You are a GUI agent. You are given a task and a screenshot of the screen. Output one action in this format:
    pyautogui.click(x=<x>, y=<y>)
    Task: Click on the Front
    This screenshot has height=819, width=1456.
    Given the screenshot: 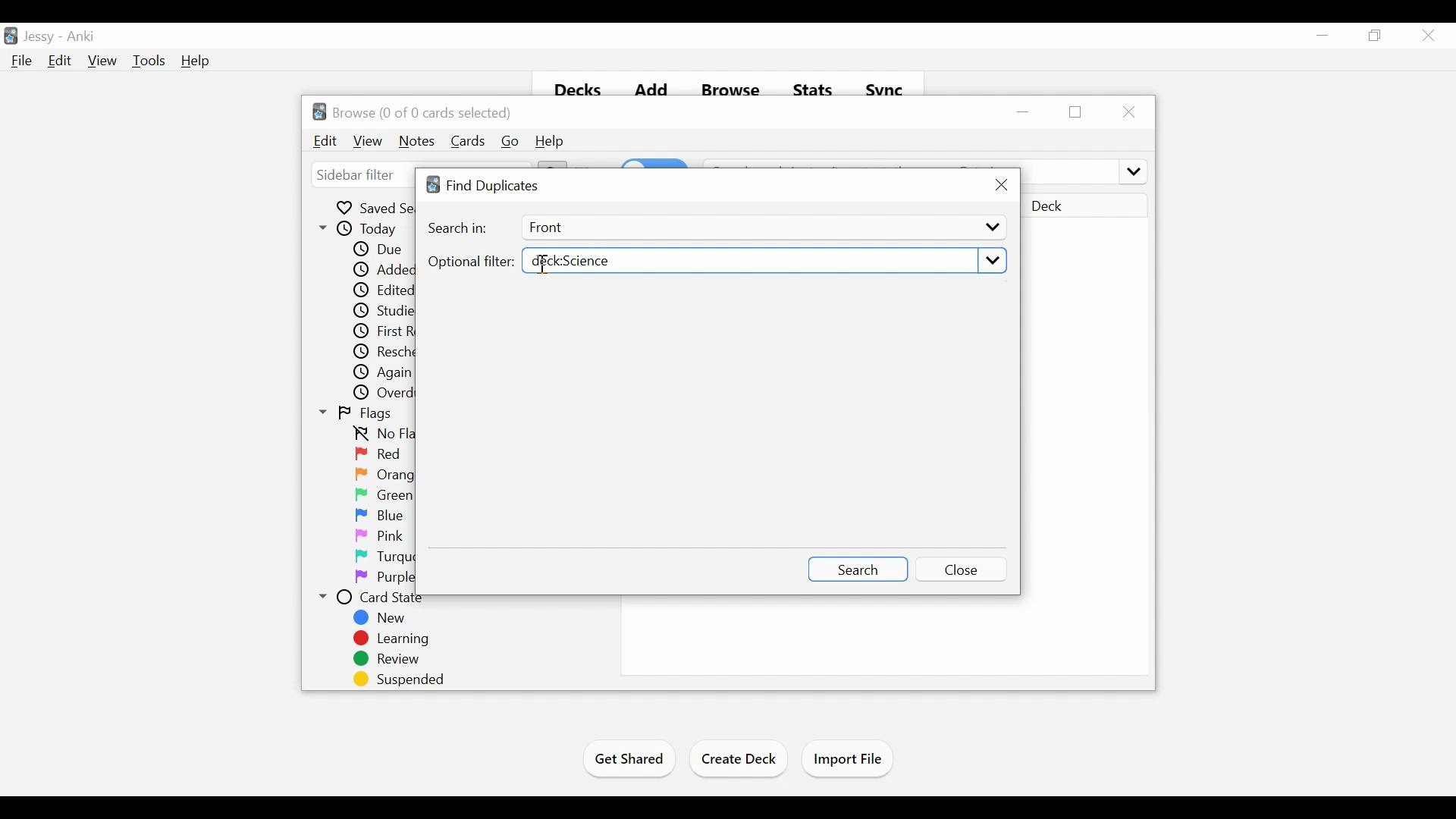 What is the action you would take?
    pyautogui.click(x=761, y=227)
    